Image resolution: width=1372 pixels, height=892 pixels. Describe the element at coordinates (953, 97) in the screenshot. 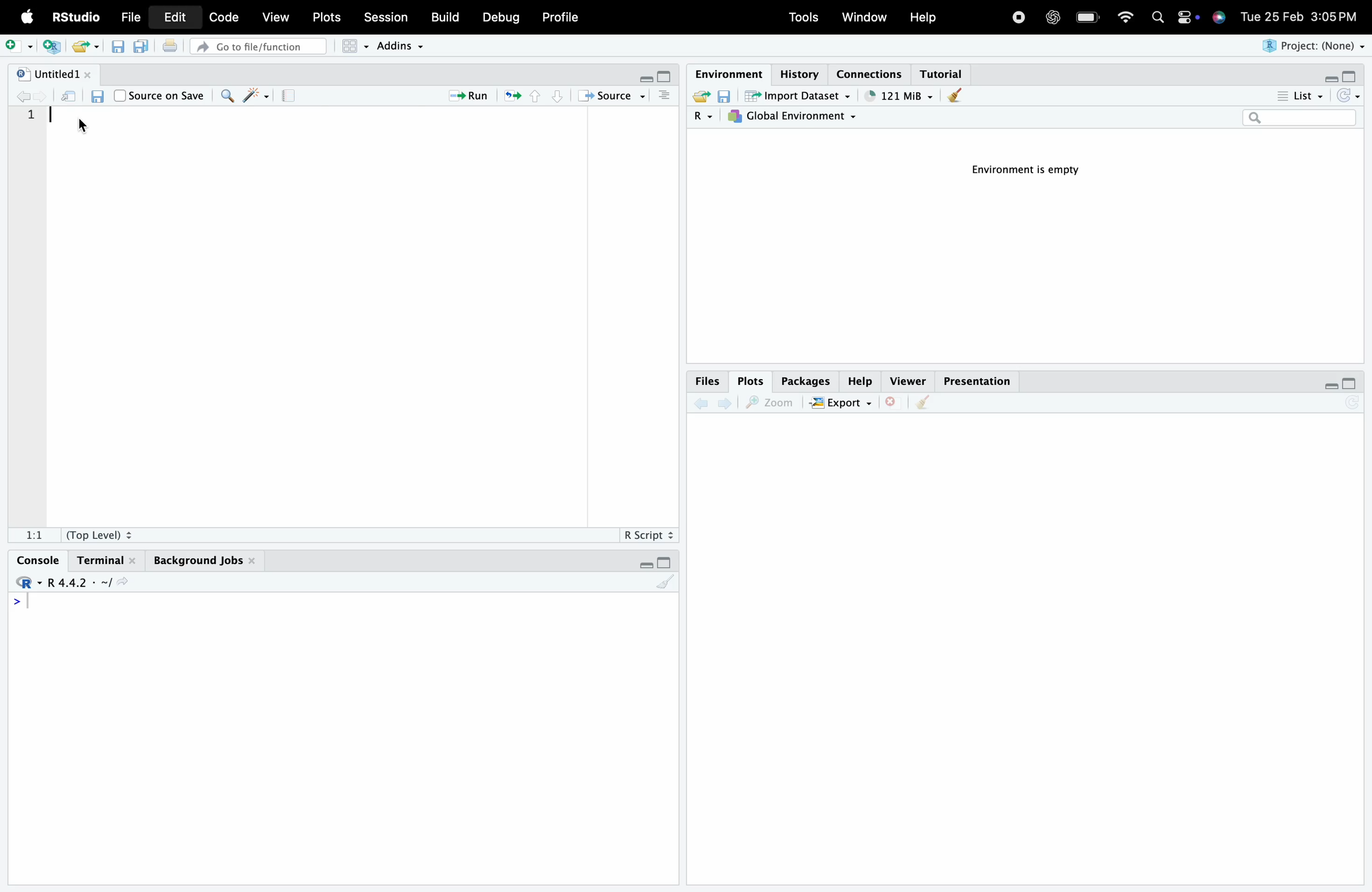

I see `Clear console (Ctrl + L)` at that location.